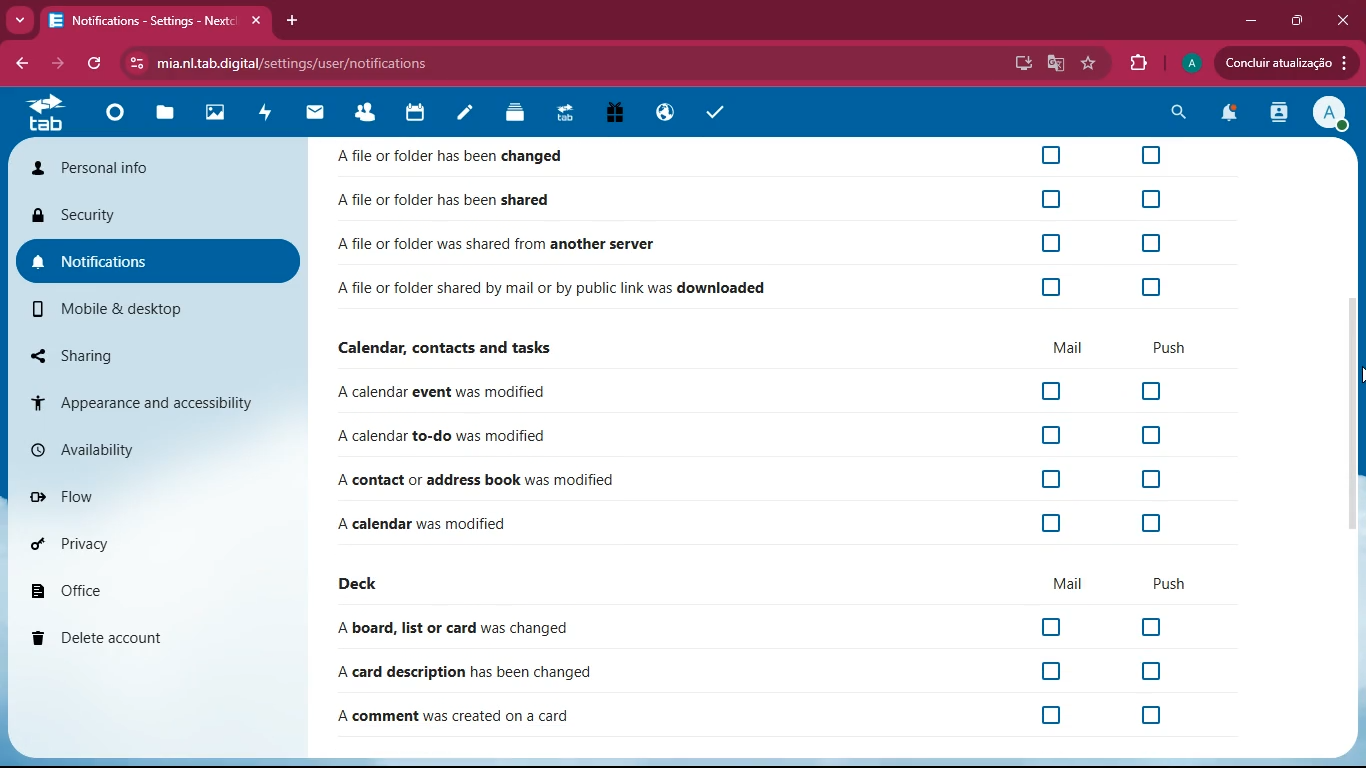  What do you see at coordinates (1156, 628) in the screenshot?
I see `off` at bounding box center [1156, 628].